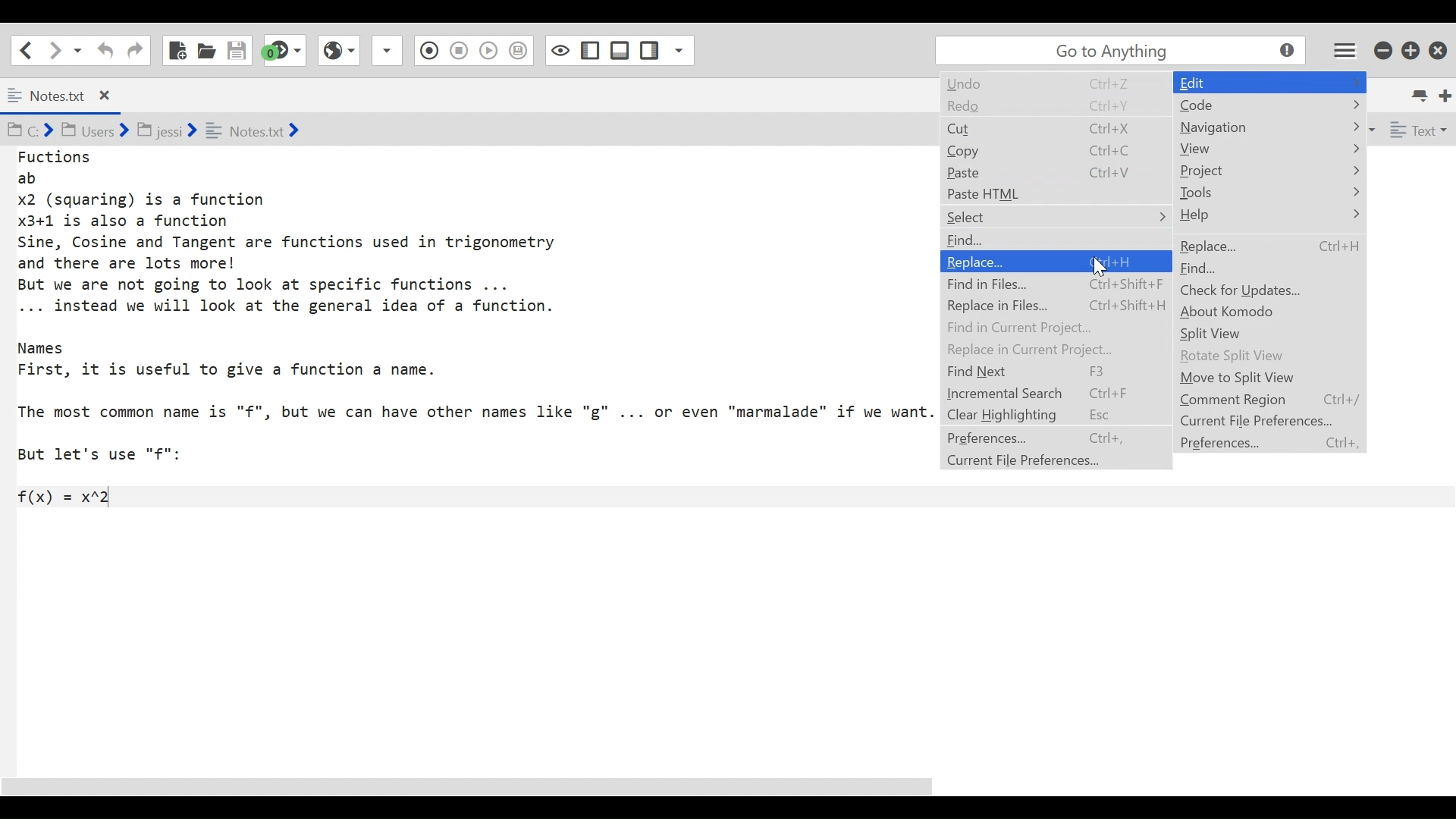 The image size is (1456, 819). What do you see at coordinates (1040, 439) in the screenshot?
I see `Preferences` at bounding box center [1040, 439].